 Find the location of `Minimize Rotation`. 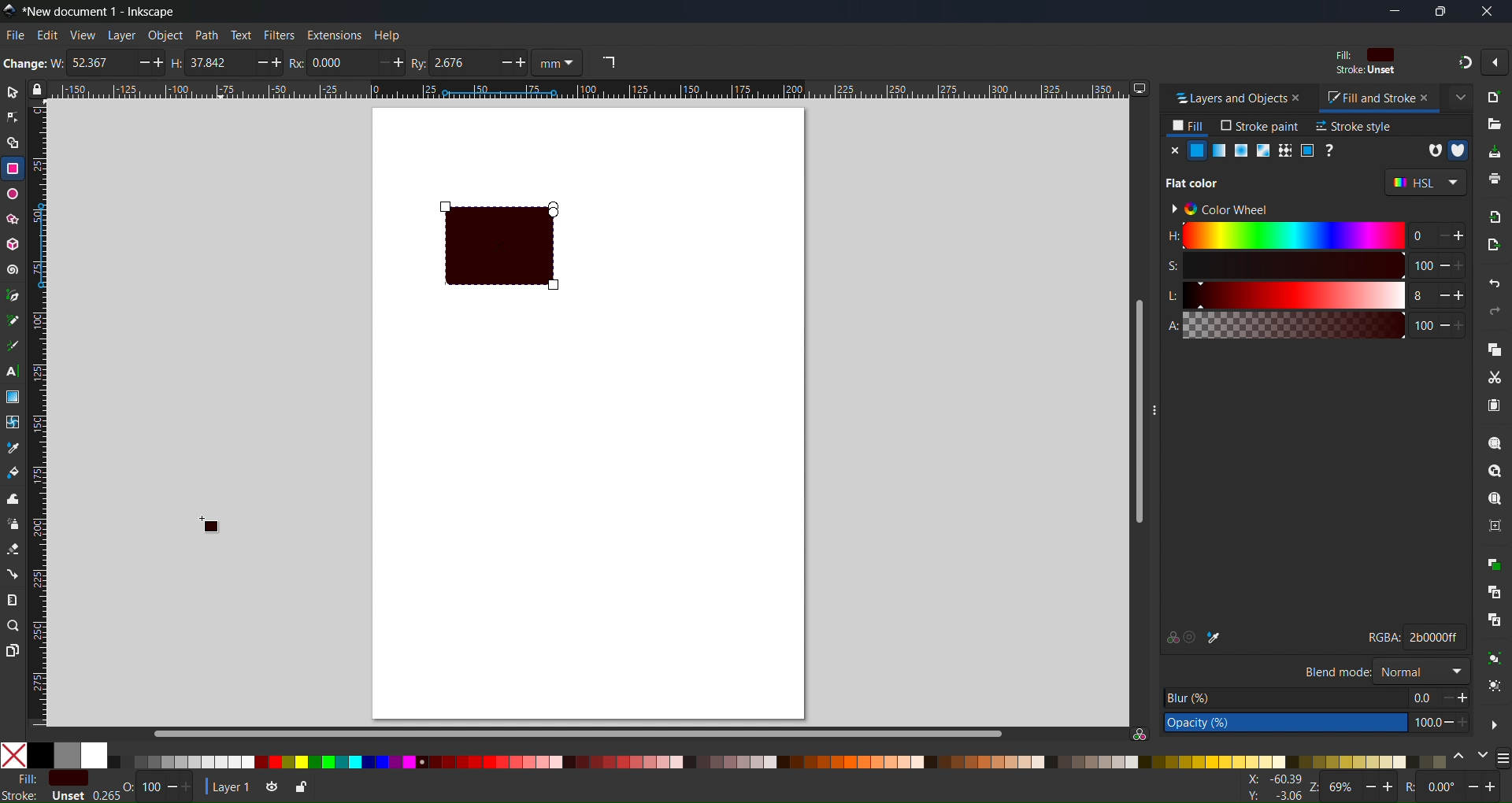

Minimize Rotation is located at coordinates (1474, 786).